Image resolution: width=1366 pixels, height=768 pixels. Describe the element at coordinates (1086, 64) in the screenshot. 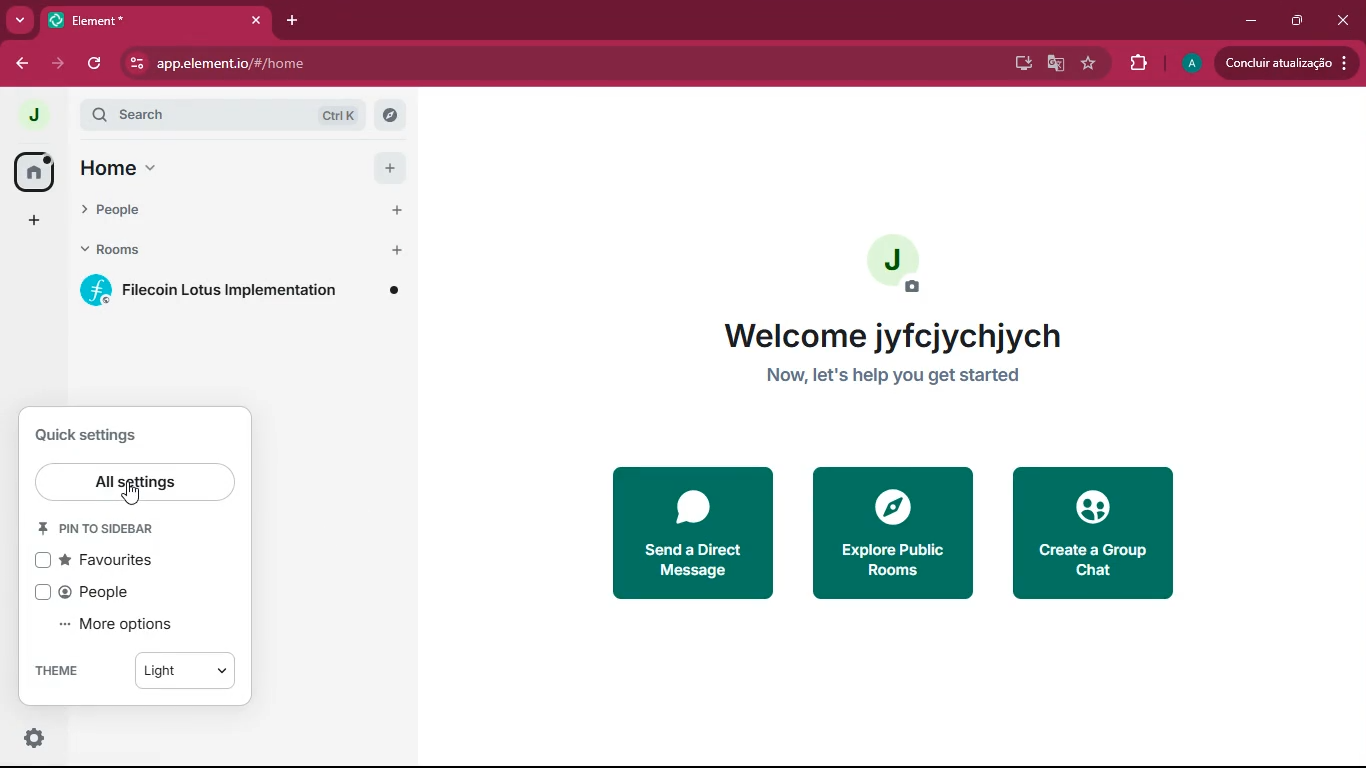

I see `favourite` at that location.